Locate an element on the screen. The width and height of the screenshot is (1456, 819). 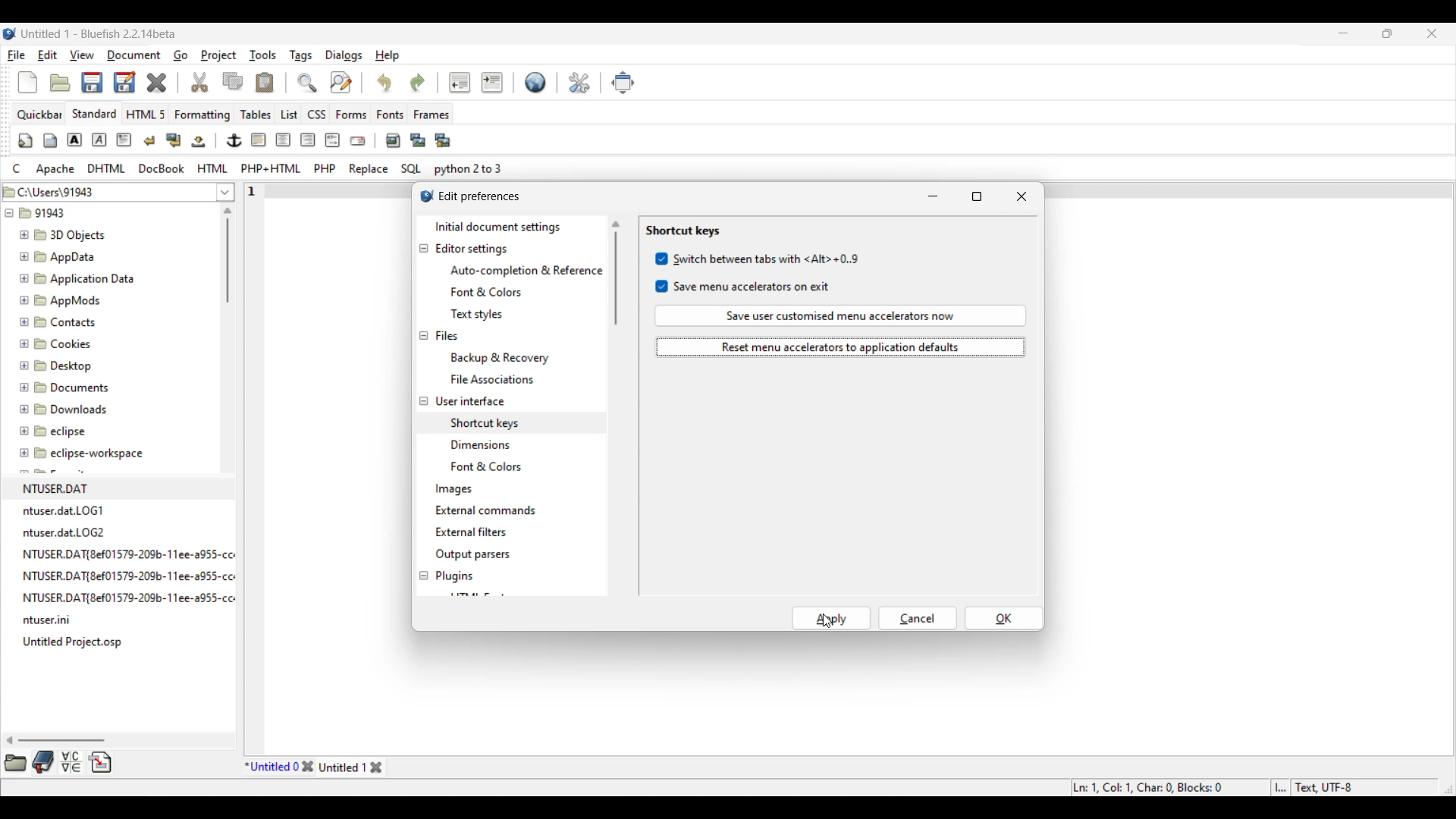
Move is located at coordinates (623, 83).